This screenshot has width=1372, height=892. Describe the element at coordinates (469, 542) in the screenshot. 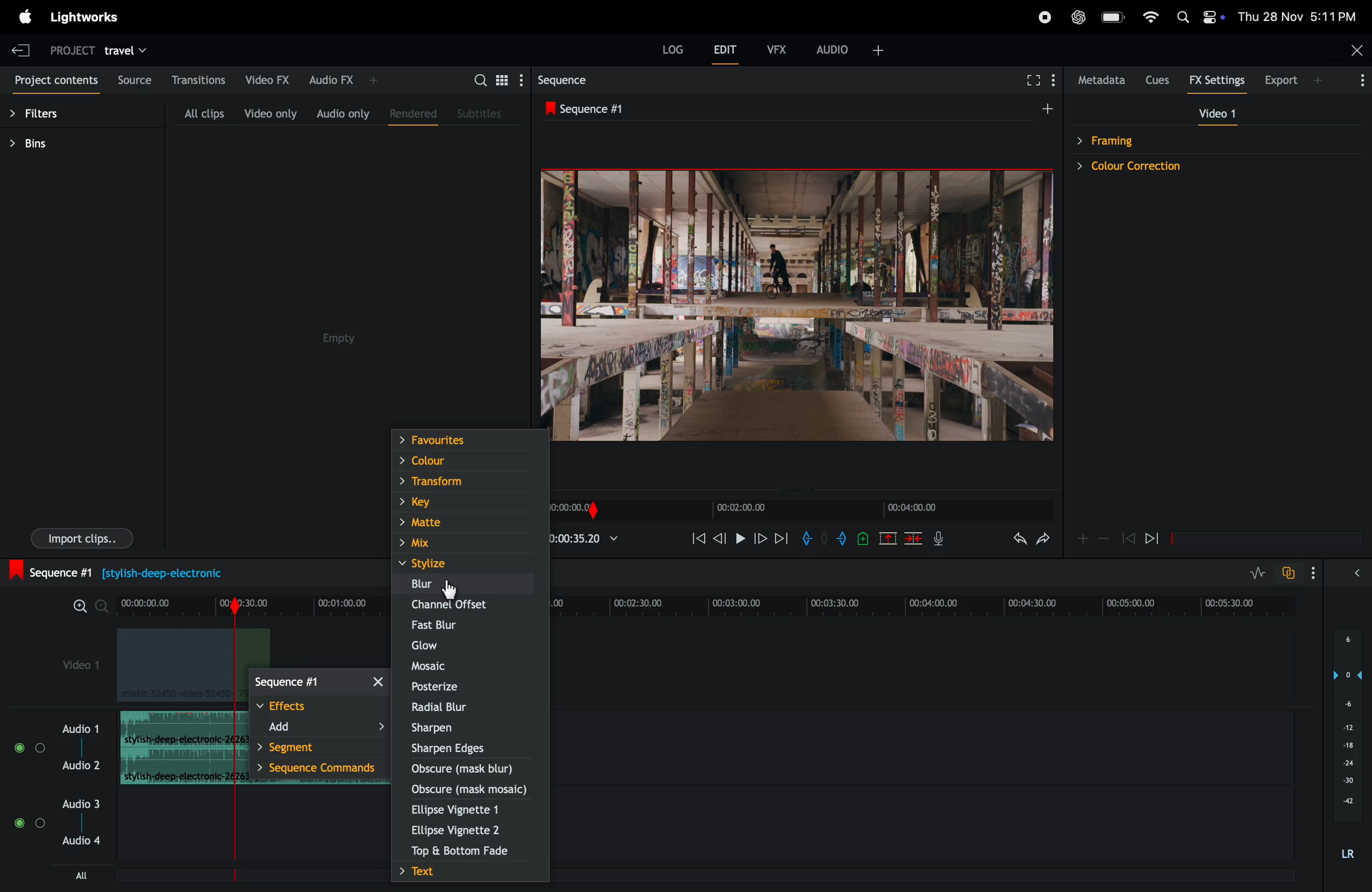

I see `mix` at that location.